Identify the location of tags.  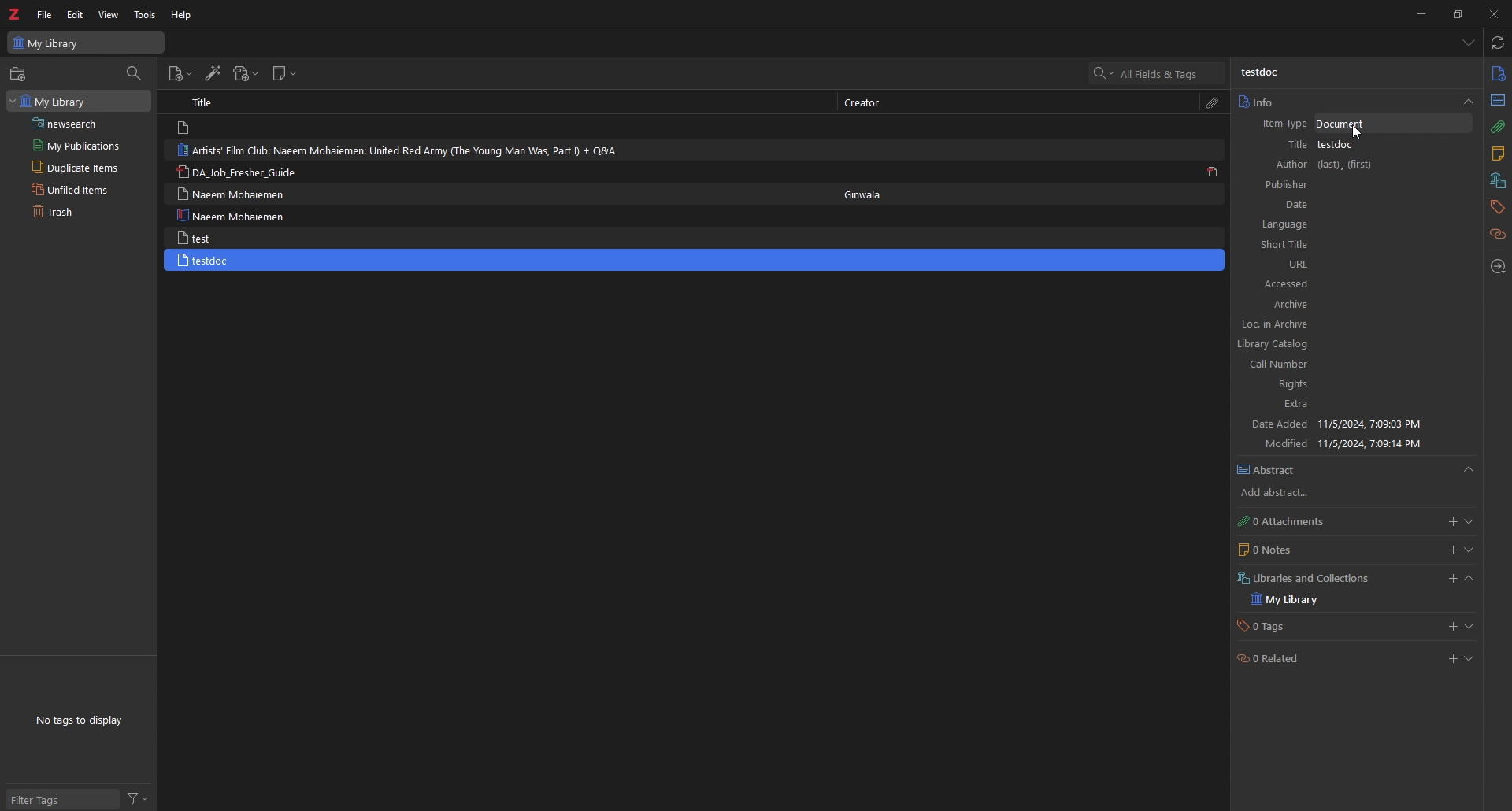
(1496, 208).